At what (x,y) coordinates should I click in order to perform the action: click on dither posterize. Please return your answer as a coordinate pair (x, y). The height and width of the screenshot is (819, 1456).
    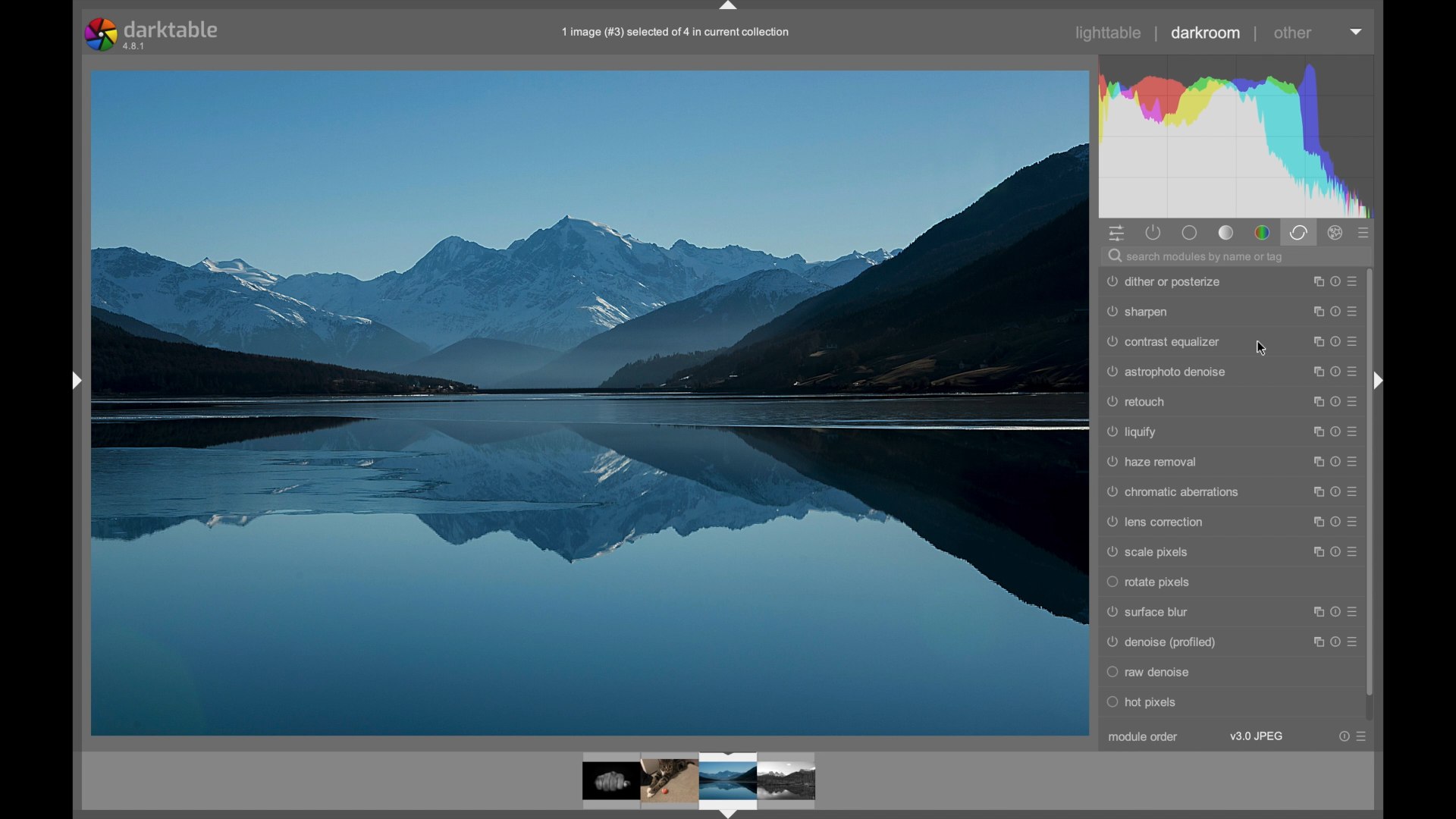
    Looking at the image, I should click on (1164, 282).